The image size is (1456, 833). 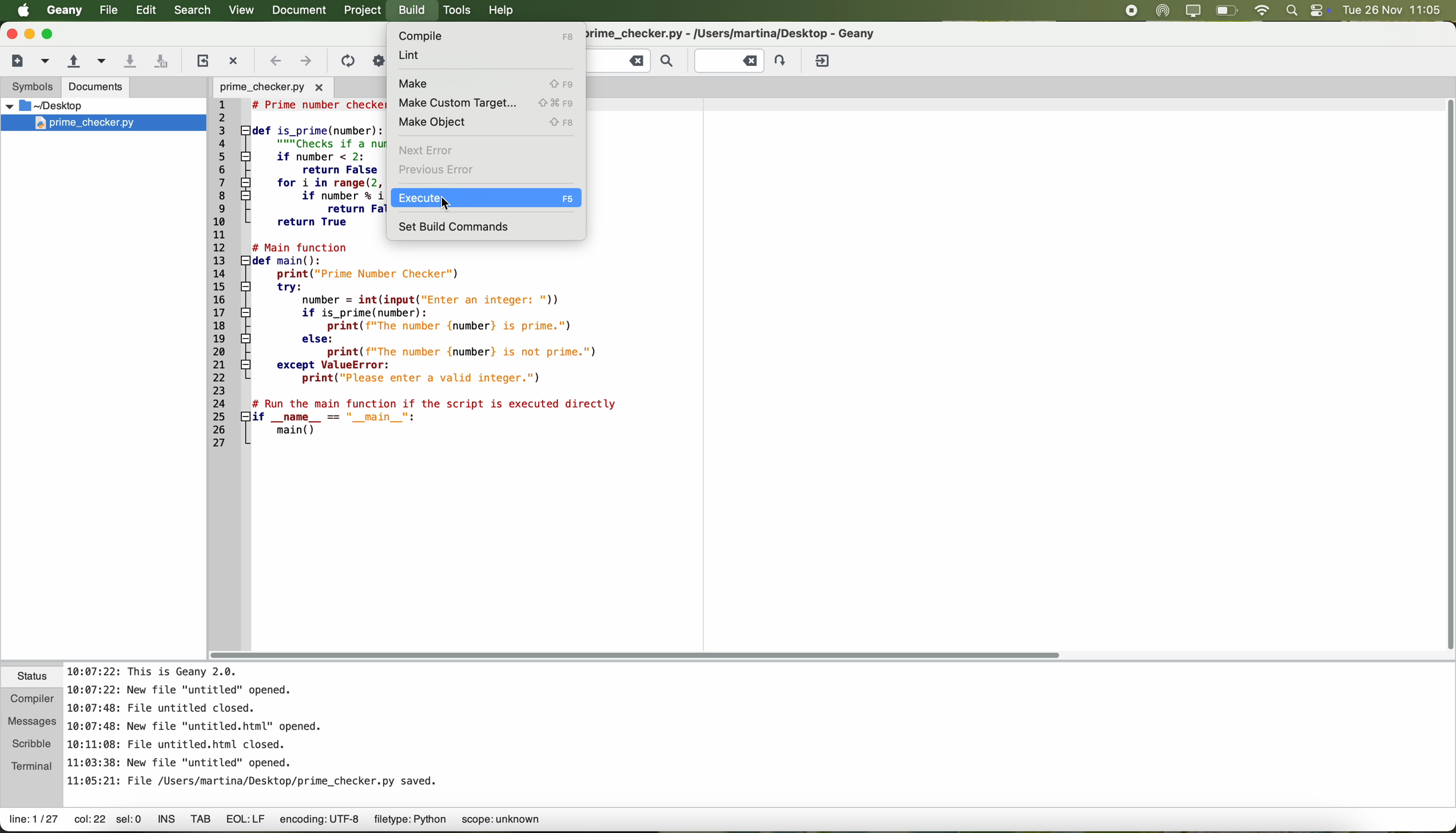 What do you see at coordinates (456, 226) in the screenshot?
I see `set build commands` at bounding box center [456, 226].